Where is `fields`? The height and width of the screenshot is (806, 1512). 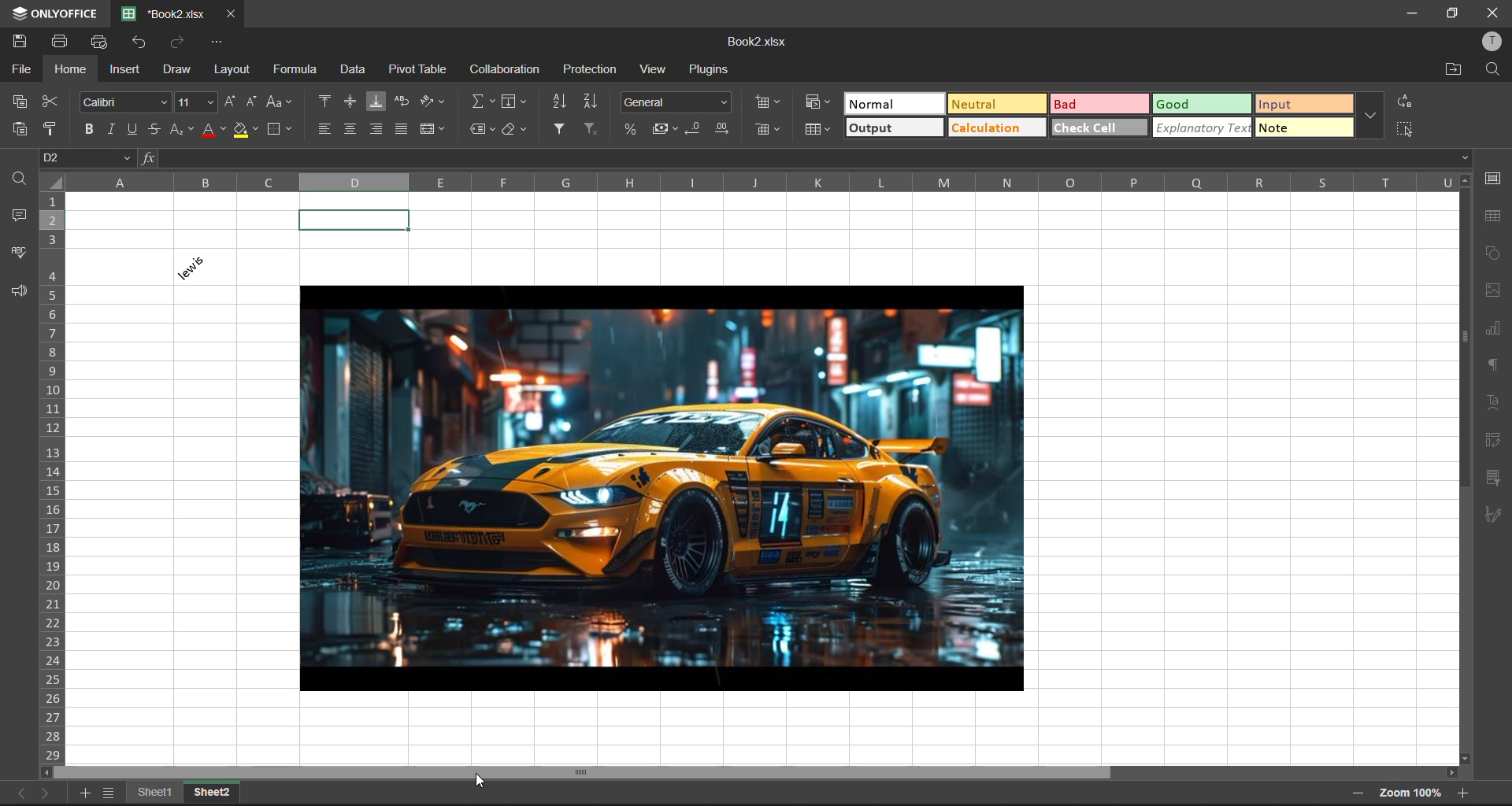 fields is located at coordinates (513, 102).